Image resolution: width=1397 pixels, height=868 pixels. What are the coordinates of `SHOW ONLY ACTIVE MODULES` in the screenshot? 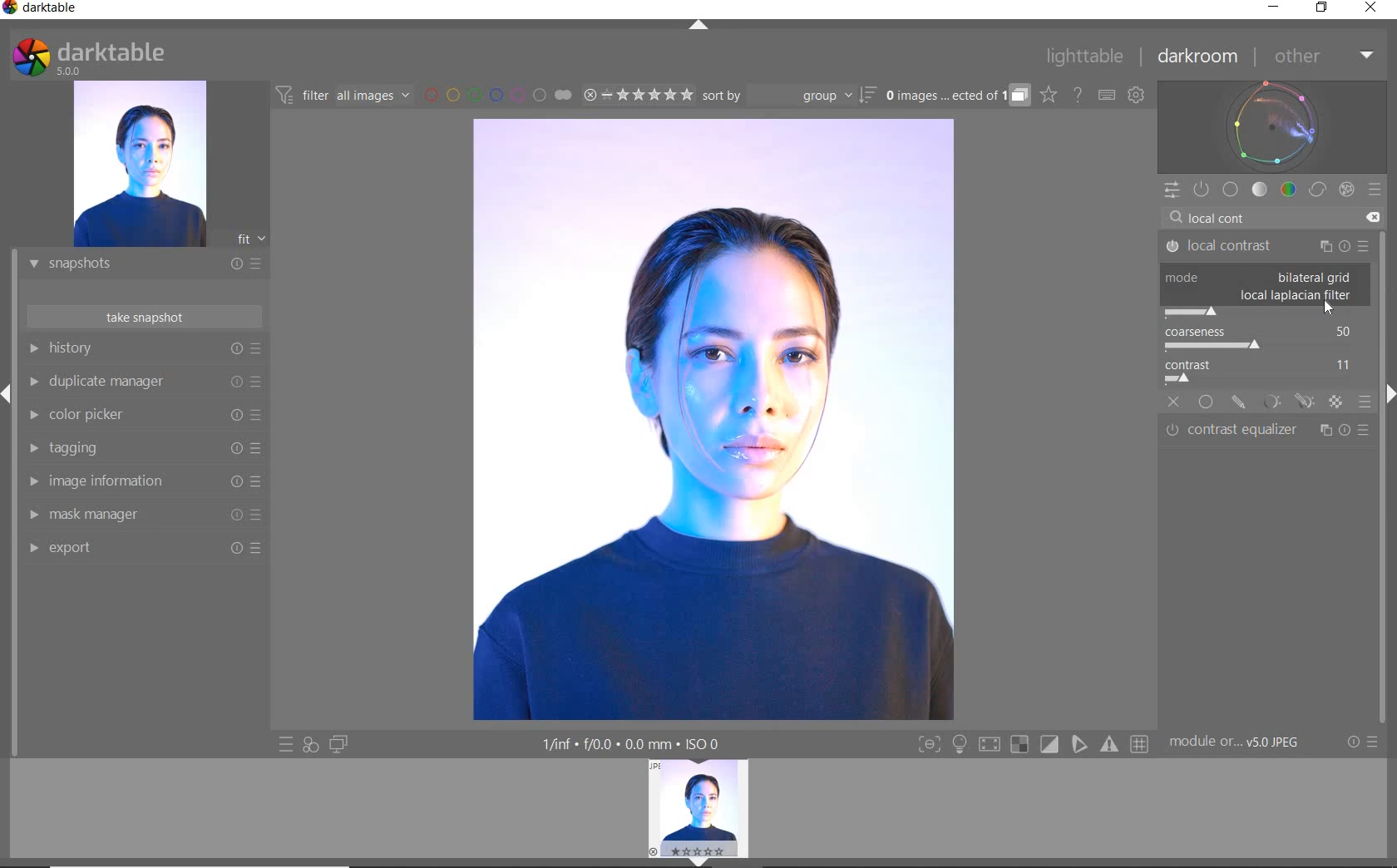 It's located at (1202, 190).